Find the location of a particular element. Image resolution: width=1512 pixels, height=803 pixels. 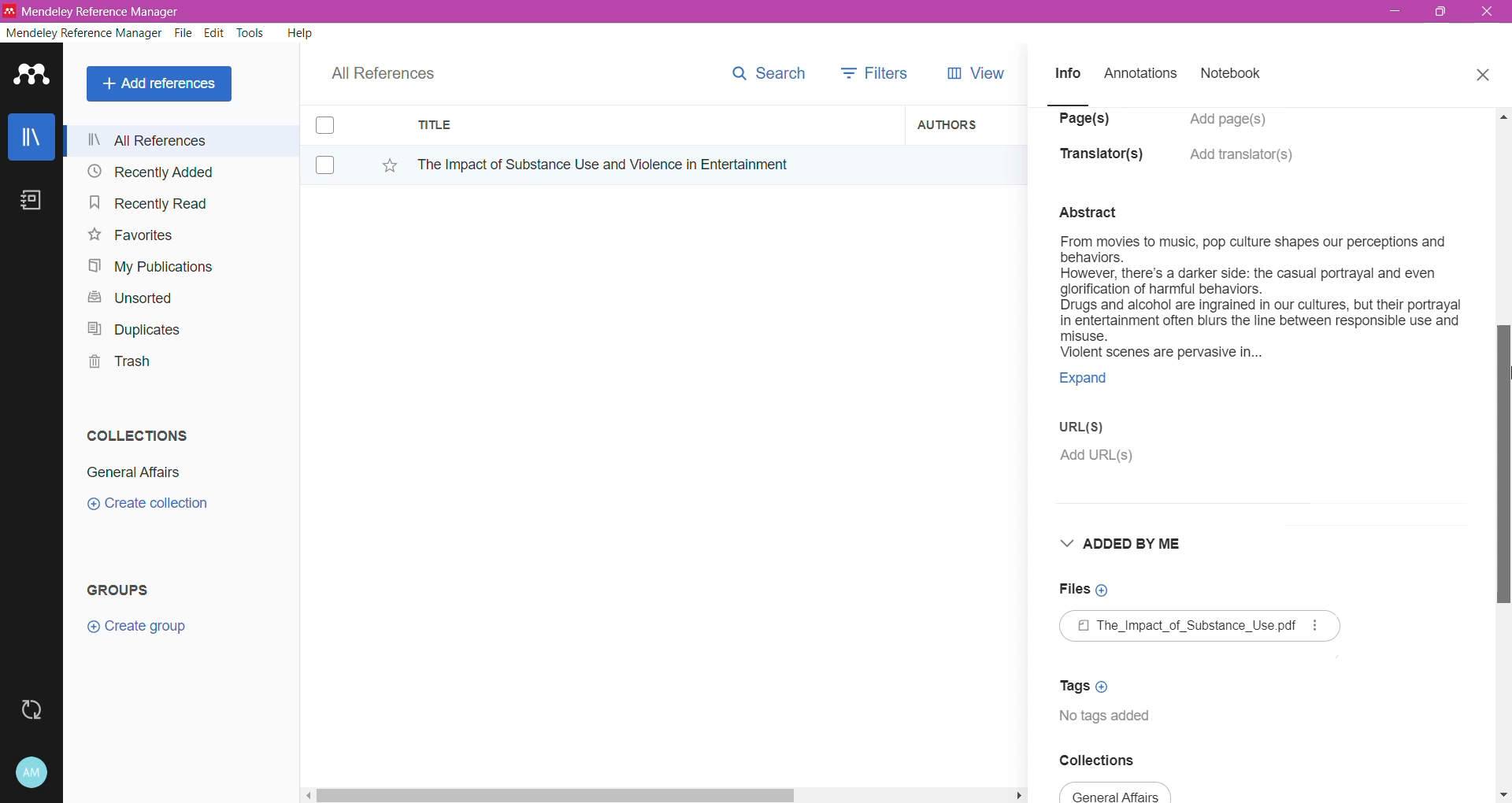

Click to Create Collection is located at coordinates (147, 506).